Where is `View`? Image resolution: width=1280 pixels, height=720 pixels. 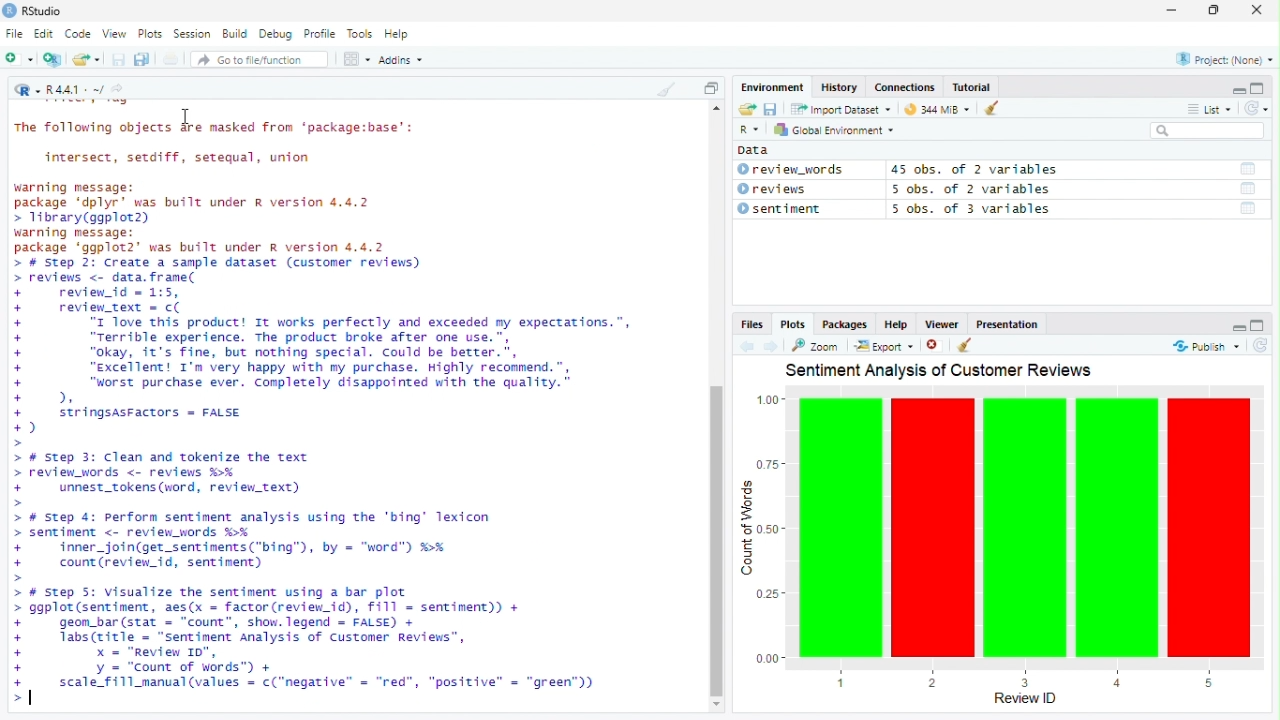 View is located at coordinates (114, 34).